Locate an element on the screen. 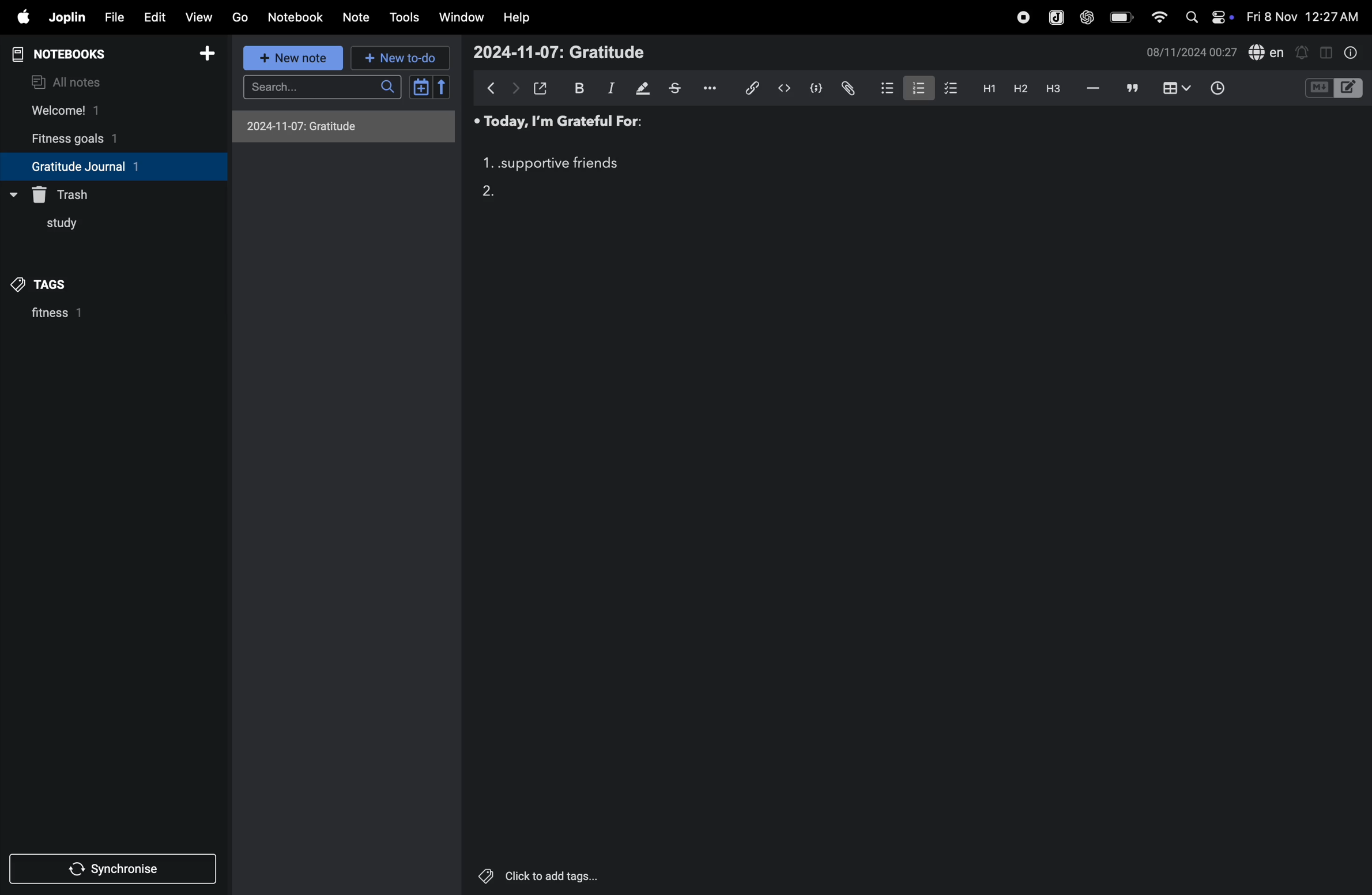 This screenshot has height=895, width=1372. check box is located at coordinates (948, 88).